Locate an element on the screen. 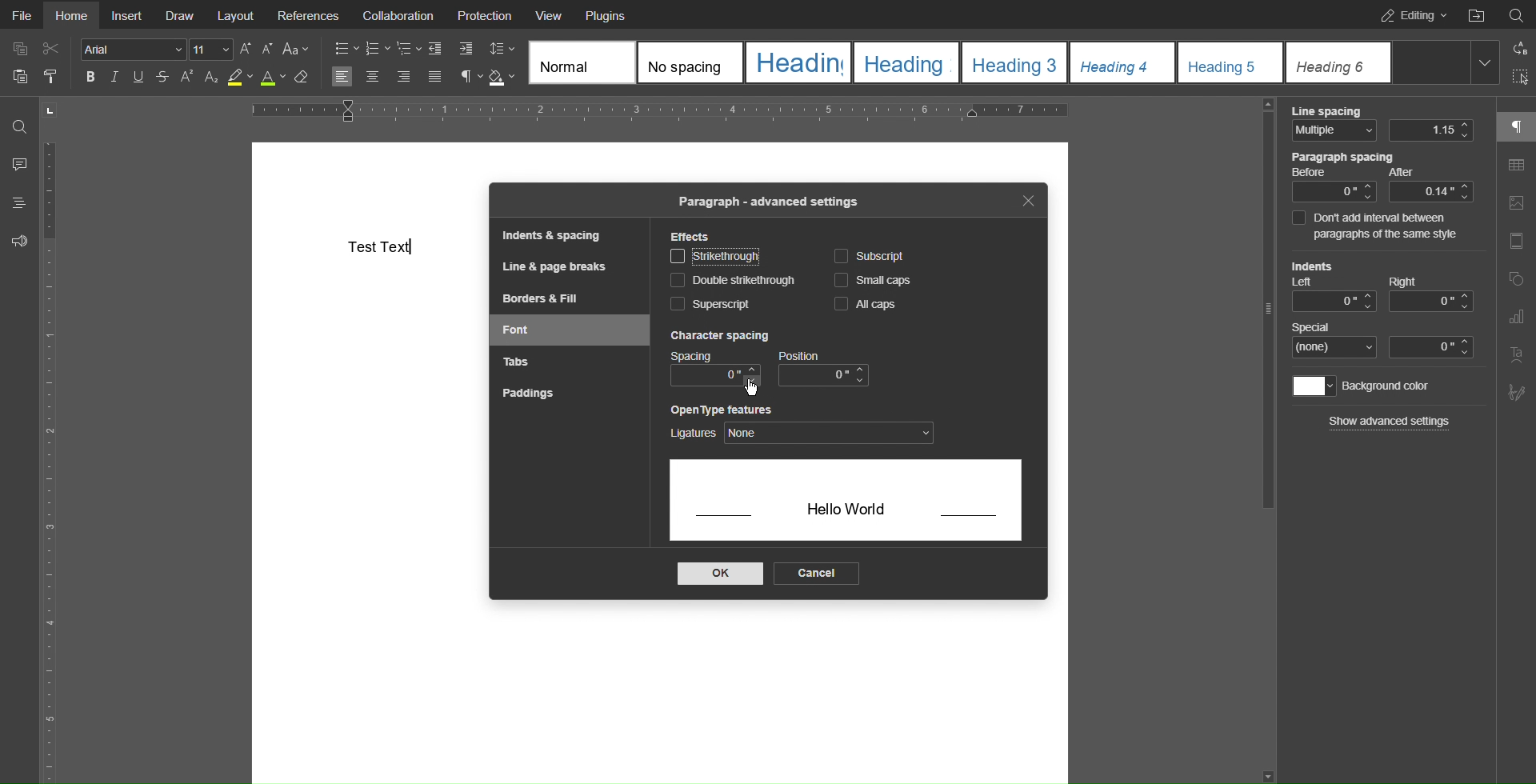 Image resolution: width=1536 pixels, height=784 pixels. Protection is located at coordinates (486, 14).